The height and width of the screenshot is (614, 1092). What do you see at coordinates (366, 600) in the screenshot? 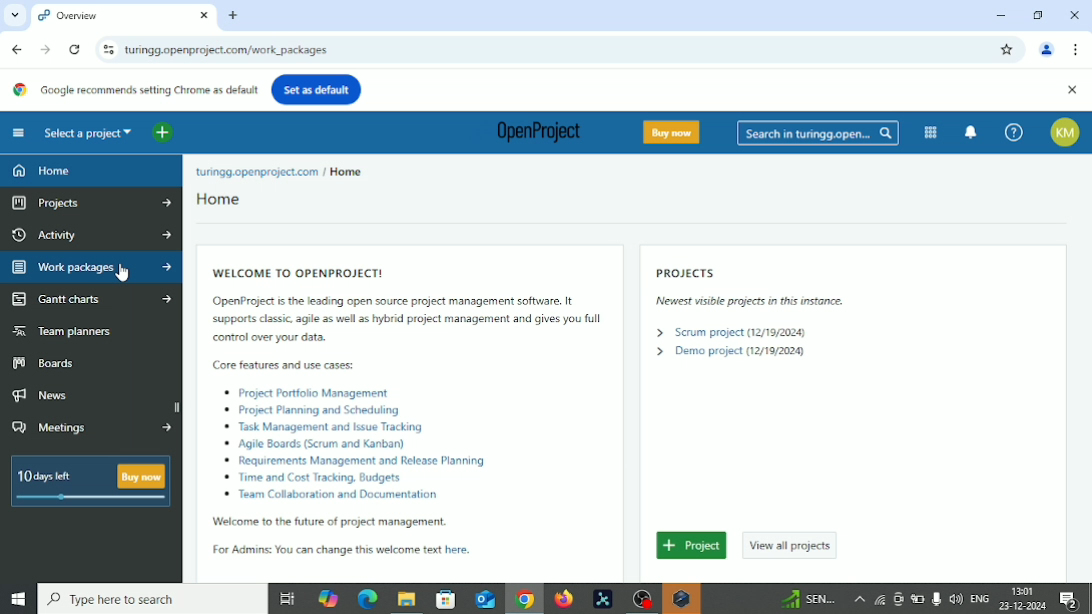
I see `Microsoft edge` at bounding box center [366, 600].